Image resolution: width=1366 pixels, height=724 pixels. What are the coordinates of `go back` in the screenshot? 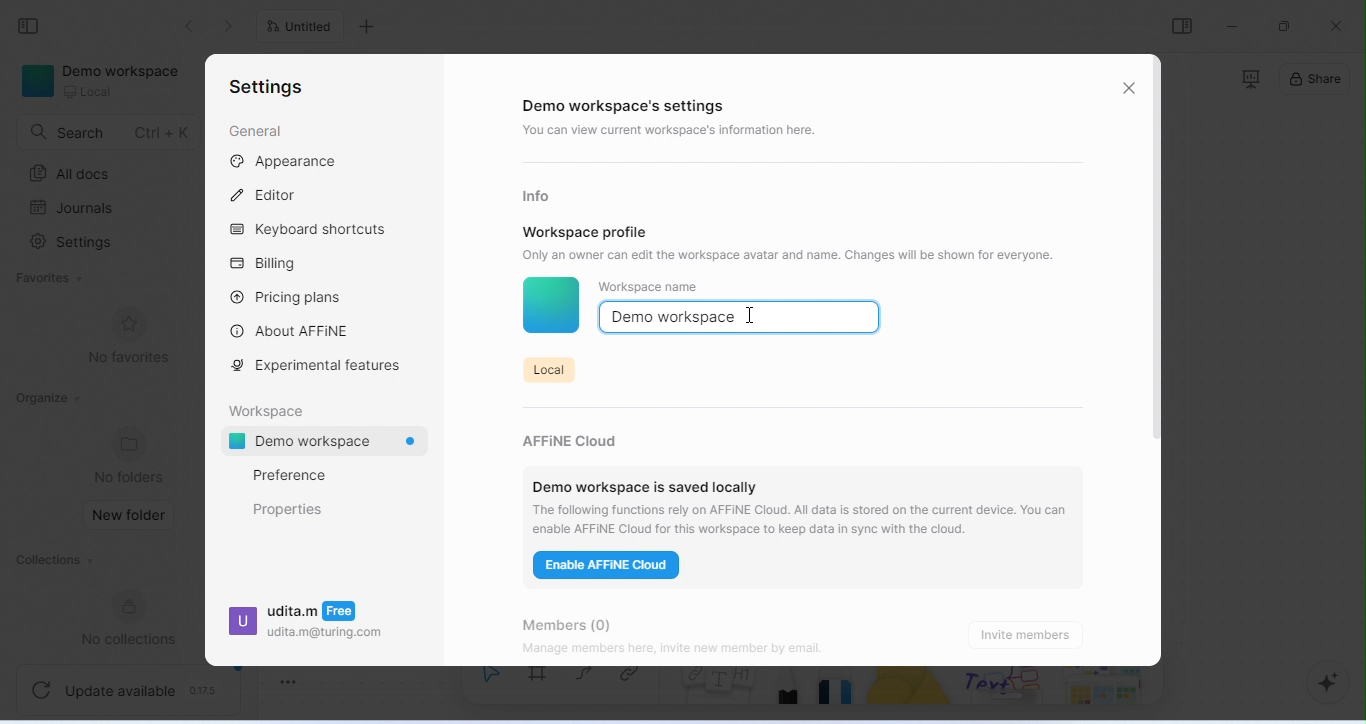 It's located at (190, 26).